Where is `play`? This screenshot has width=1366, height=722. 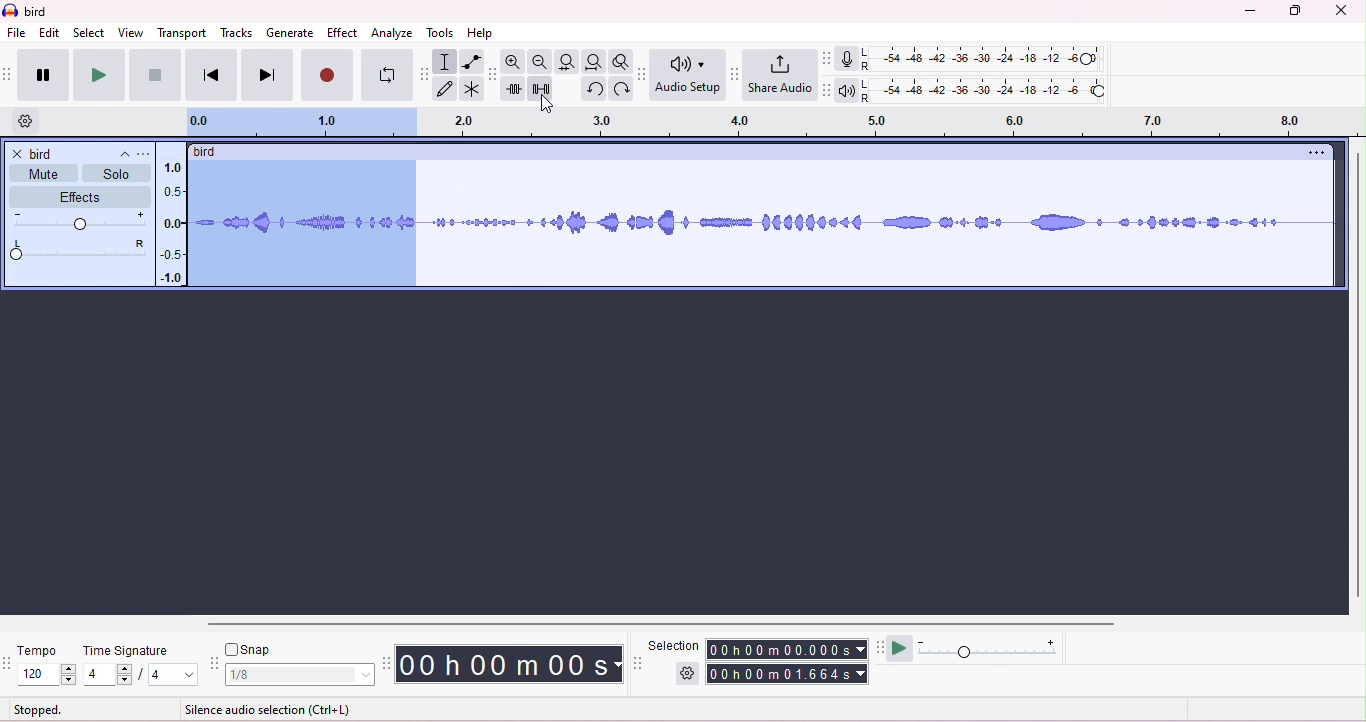
play is located at coordinates (99, 76).